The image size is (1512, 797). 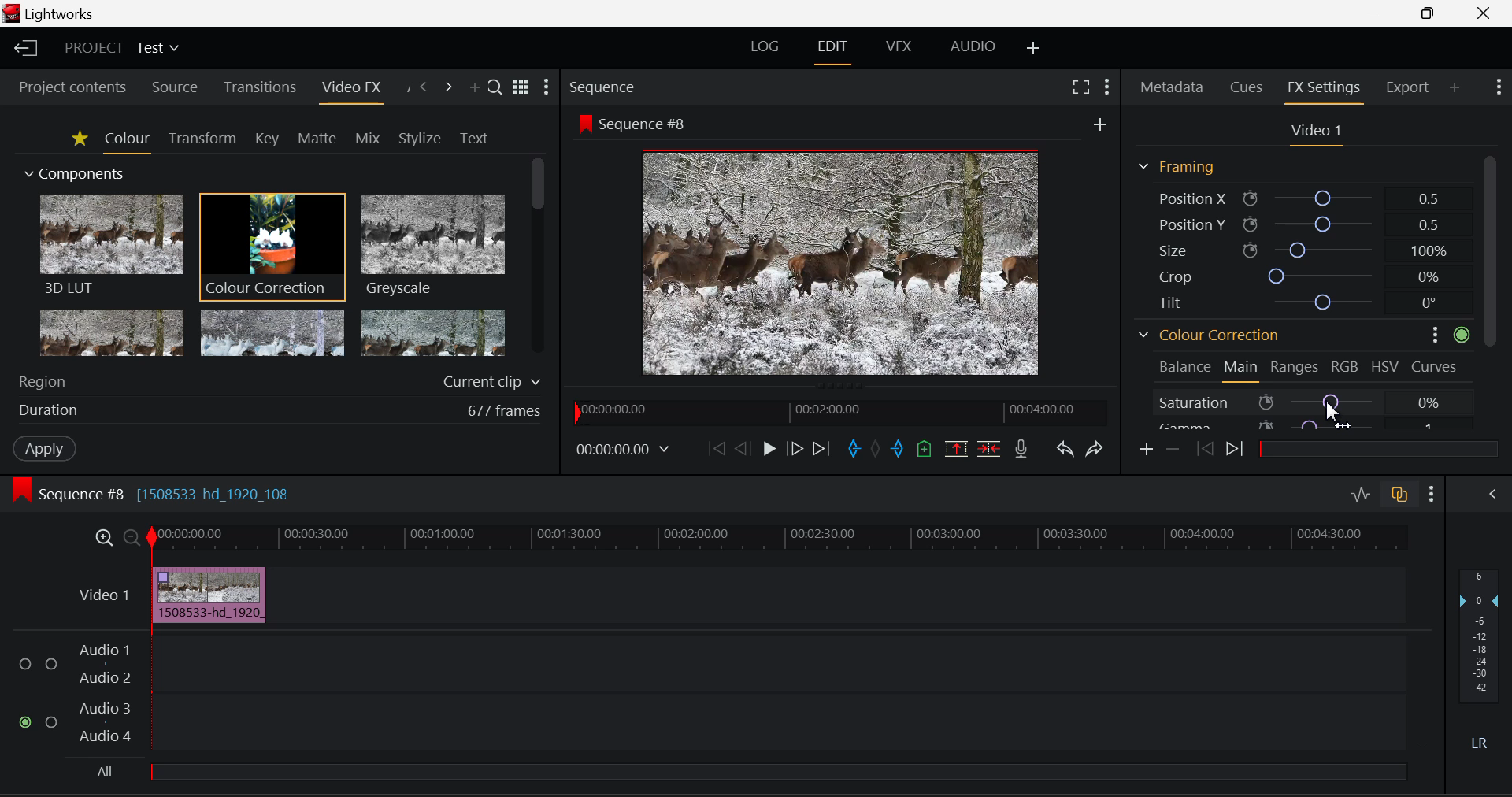 I want to click on Gamma, so click(x=1298, y=424).